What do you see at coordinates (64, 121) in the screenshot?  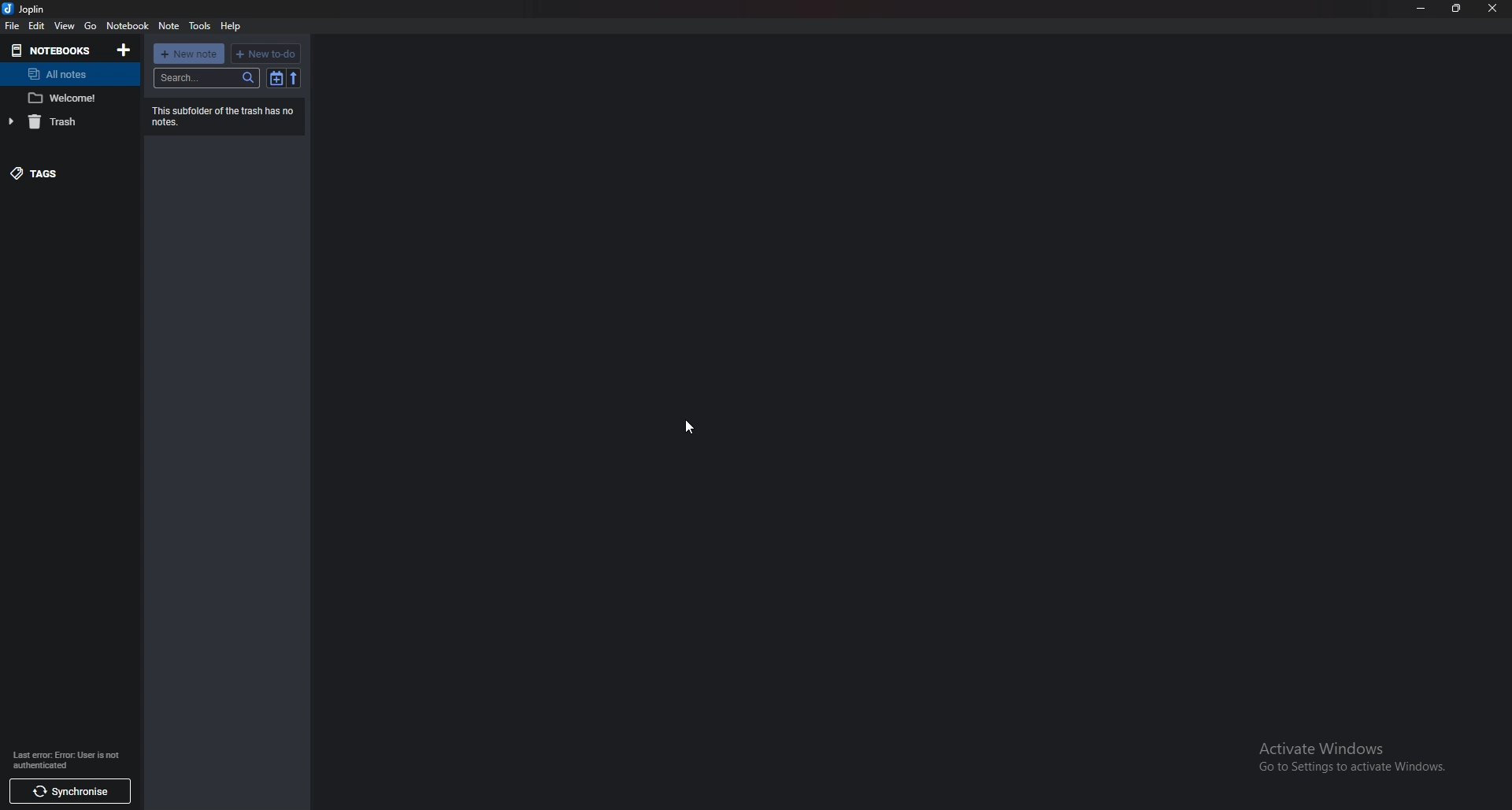 I see `trash` at bounding box center [64, 121].